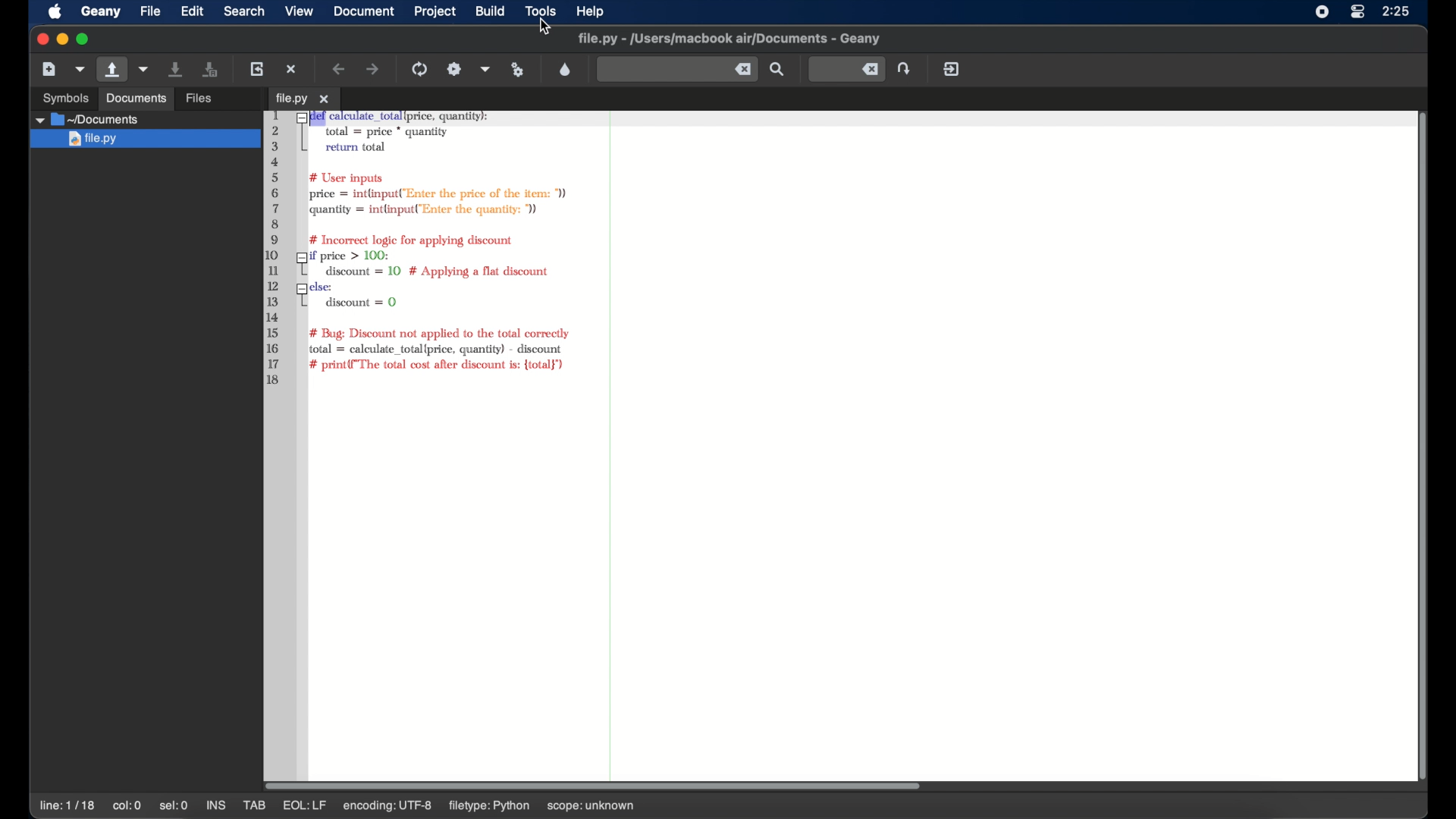 This screenshot has height=819, width=1456. What do you see at coordinates (1323, 11) in the screenshot?
I see `screen recorder icon` at bounding box center [1323, 11].